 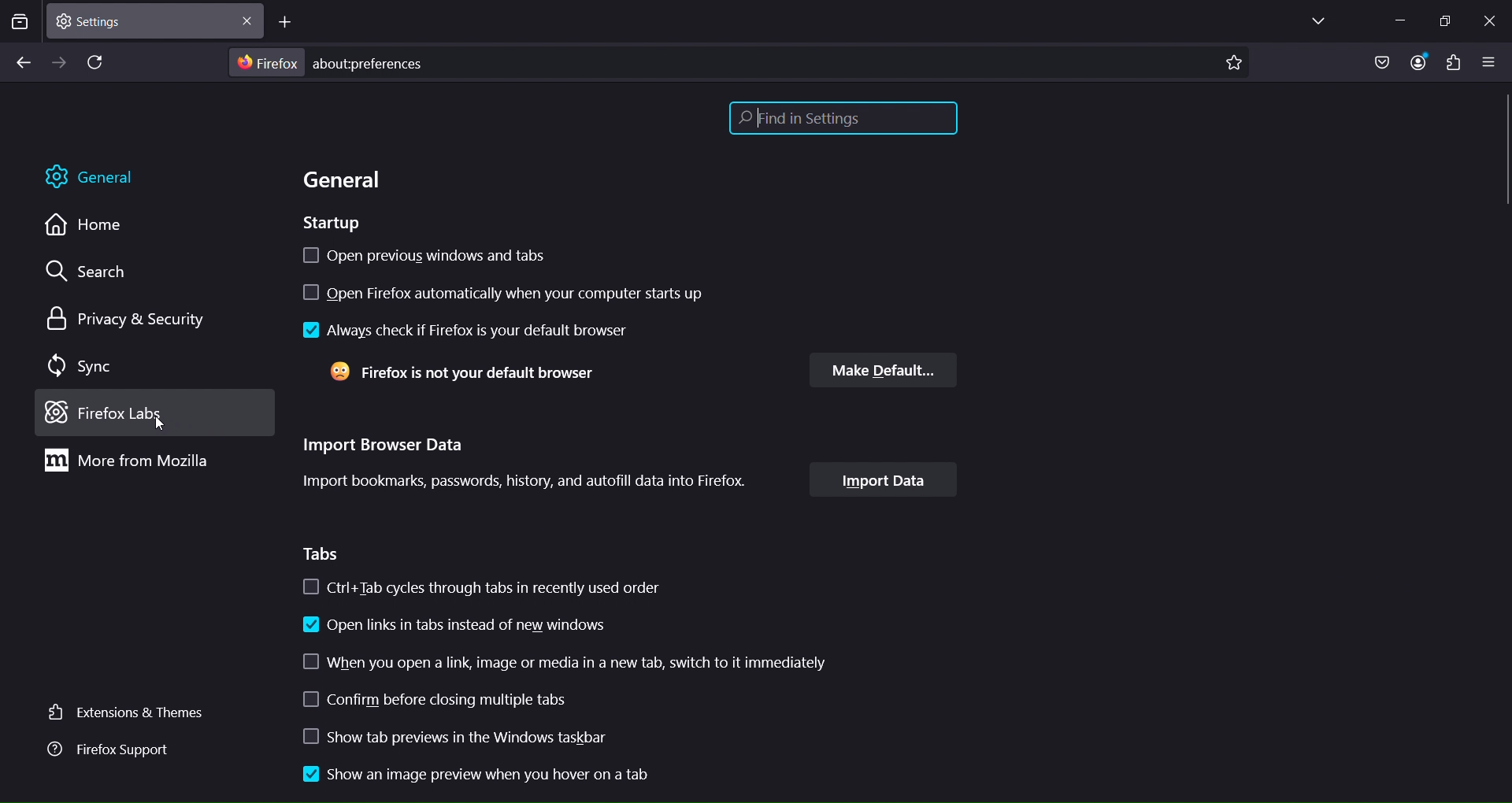 What do you see at coordinates (1378, 62) in the screenshot?
I see `save to pocket` at bounding box center [1378, 62].